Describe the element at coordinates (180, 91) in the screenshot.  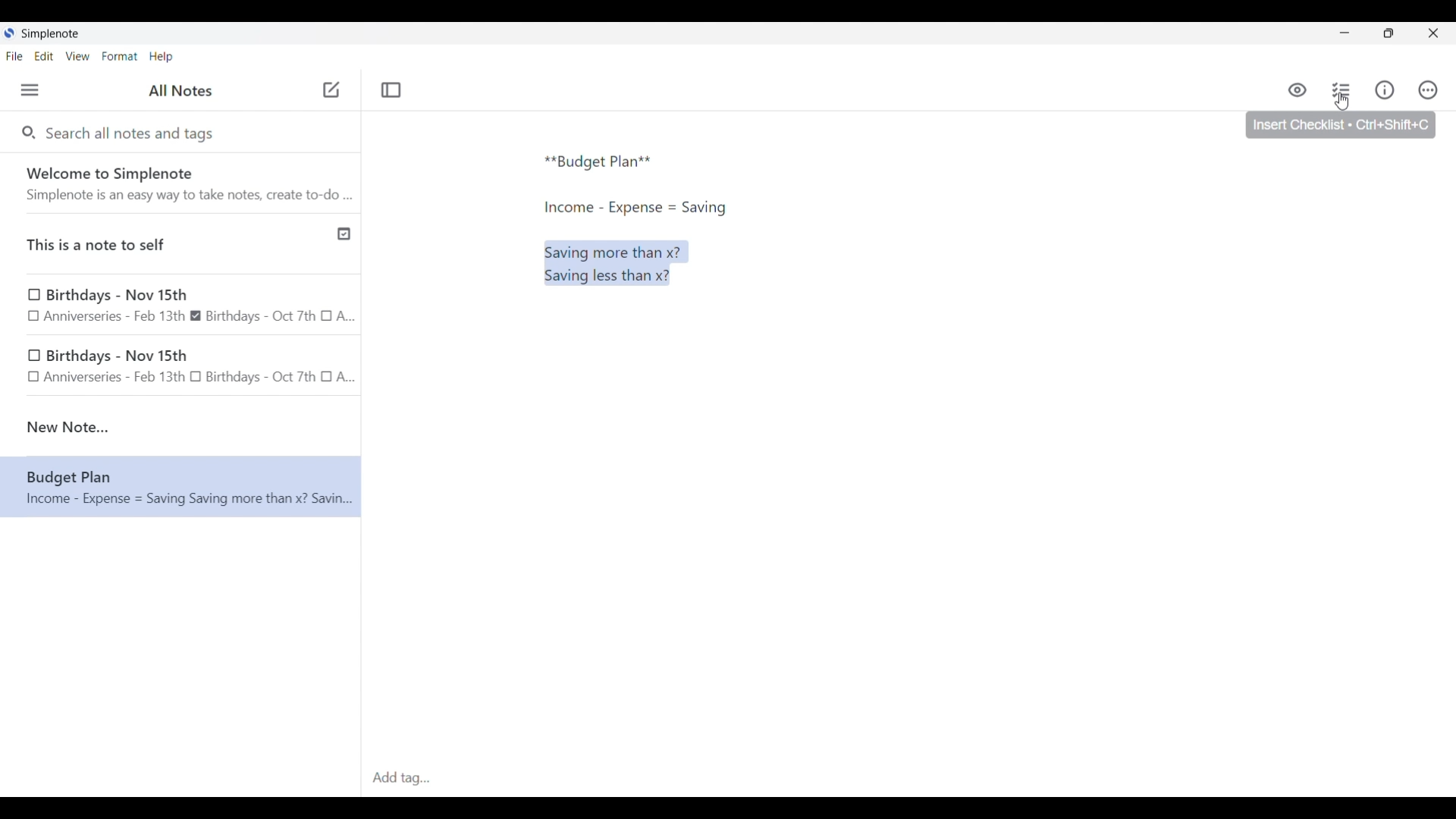
I see `Title of left side panel` at that location.